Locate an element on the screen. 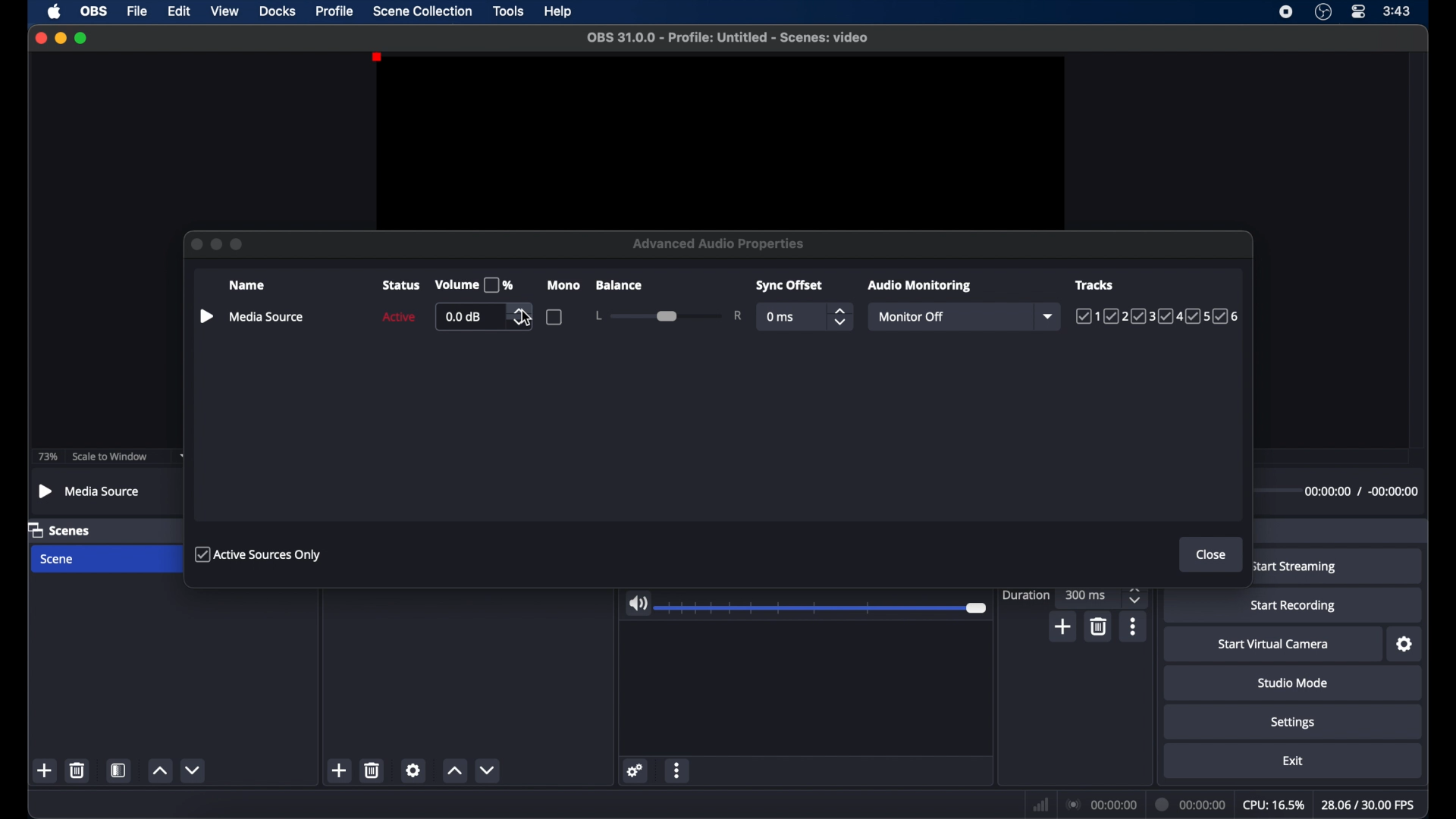  volume is located at coordinates (475, 285).